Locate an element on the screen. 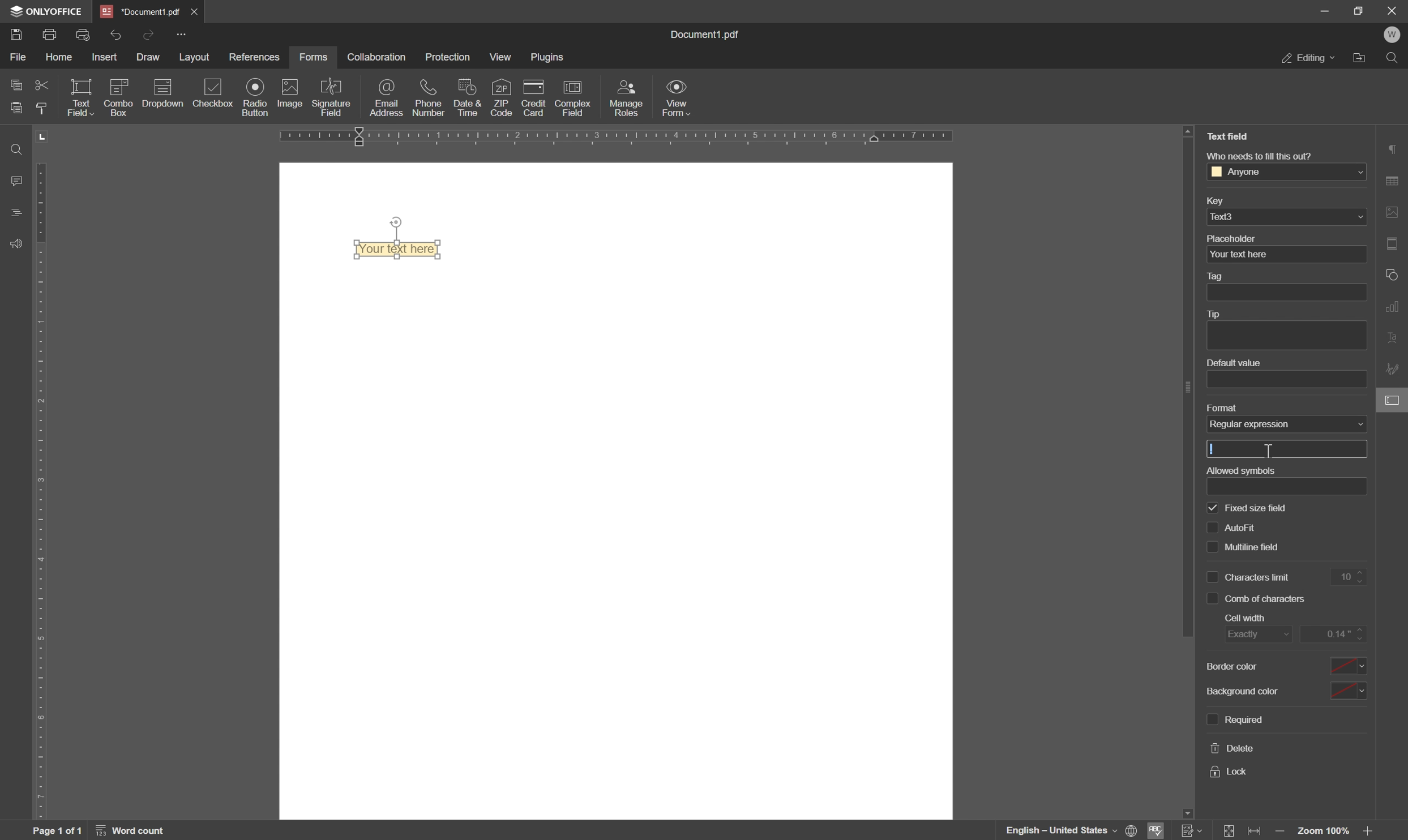  home is located at coordinates (63, 59).